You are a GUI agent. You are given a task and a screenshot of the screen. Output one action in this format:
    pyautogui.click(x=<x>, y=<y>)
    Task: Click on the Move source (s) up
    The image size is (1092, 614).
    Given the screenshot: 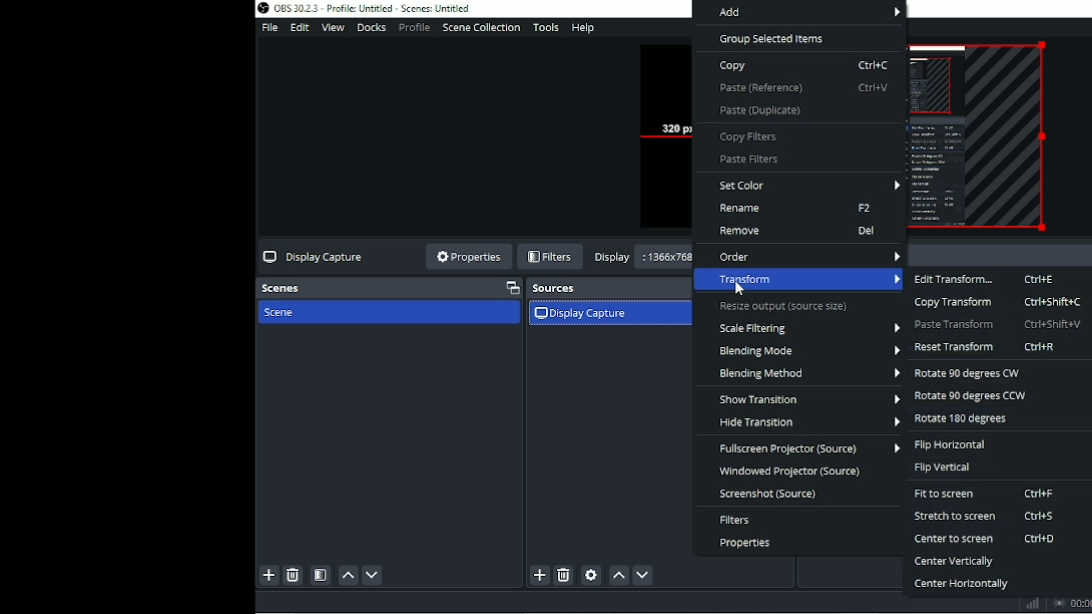 What is the action you would take?
    pyautogui.click(x=618, y=575)
    